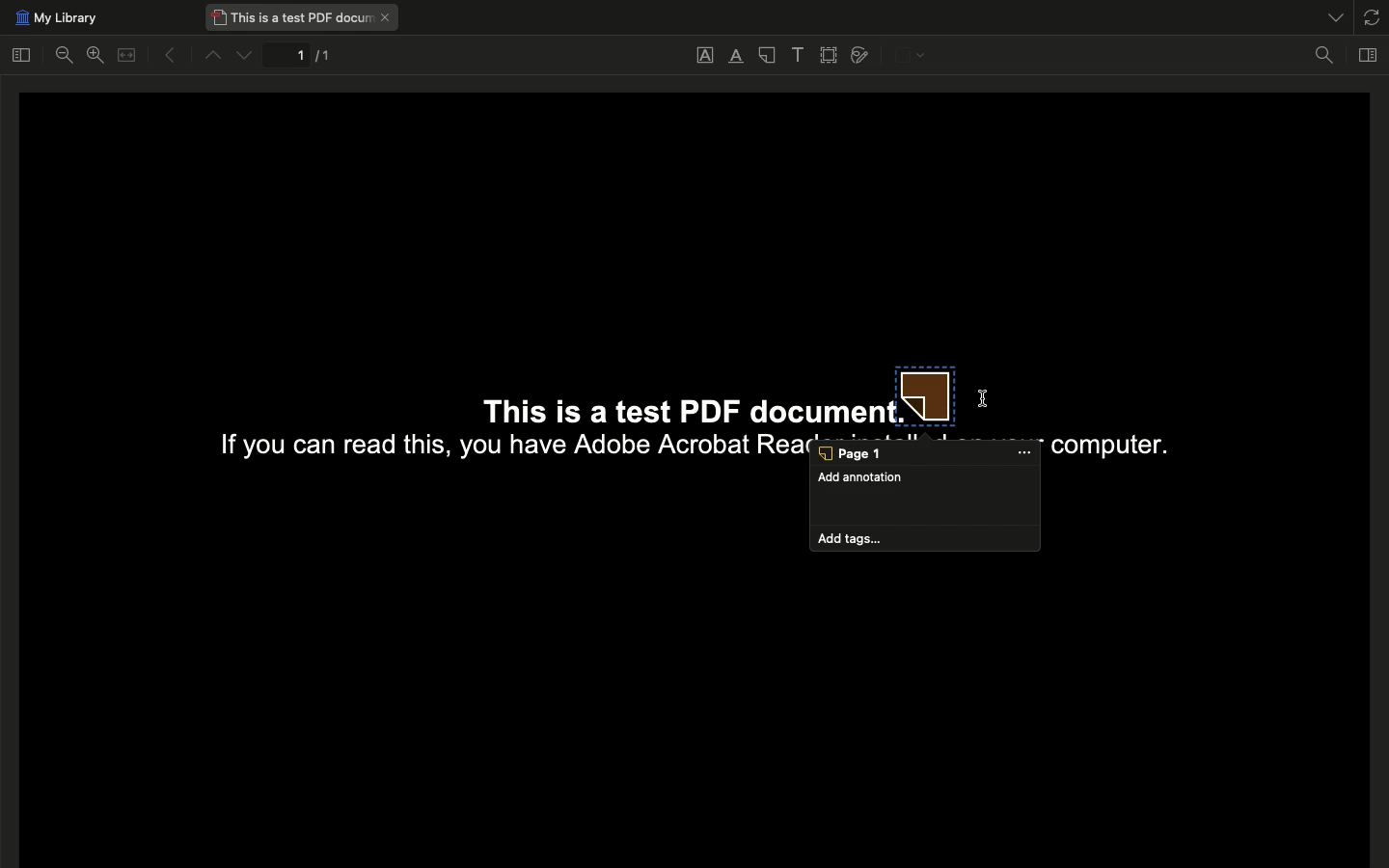  I want to click on Zoom in, so click(95, 55).